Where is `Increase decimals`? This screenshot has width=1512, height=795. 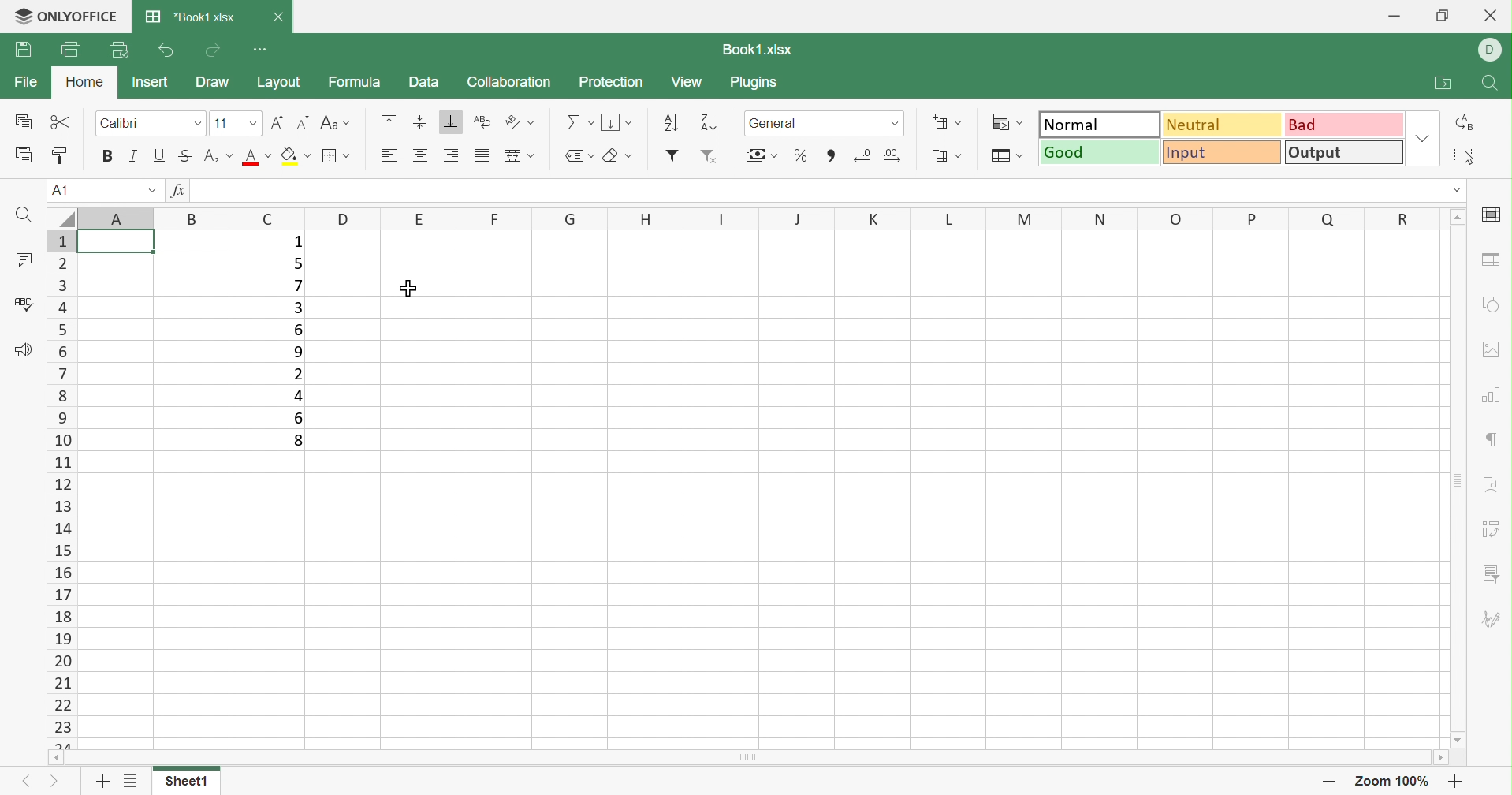 Increase decimals is located at coordinates (903, 155).